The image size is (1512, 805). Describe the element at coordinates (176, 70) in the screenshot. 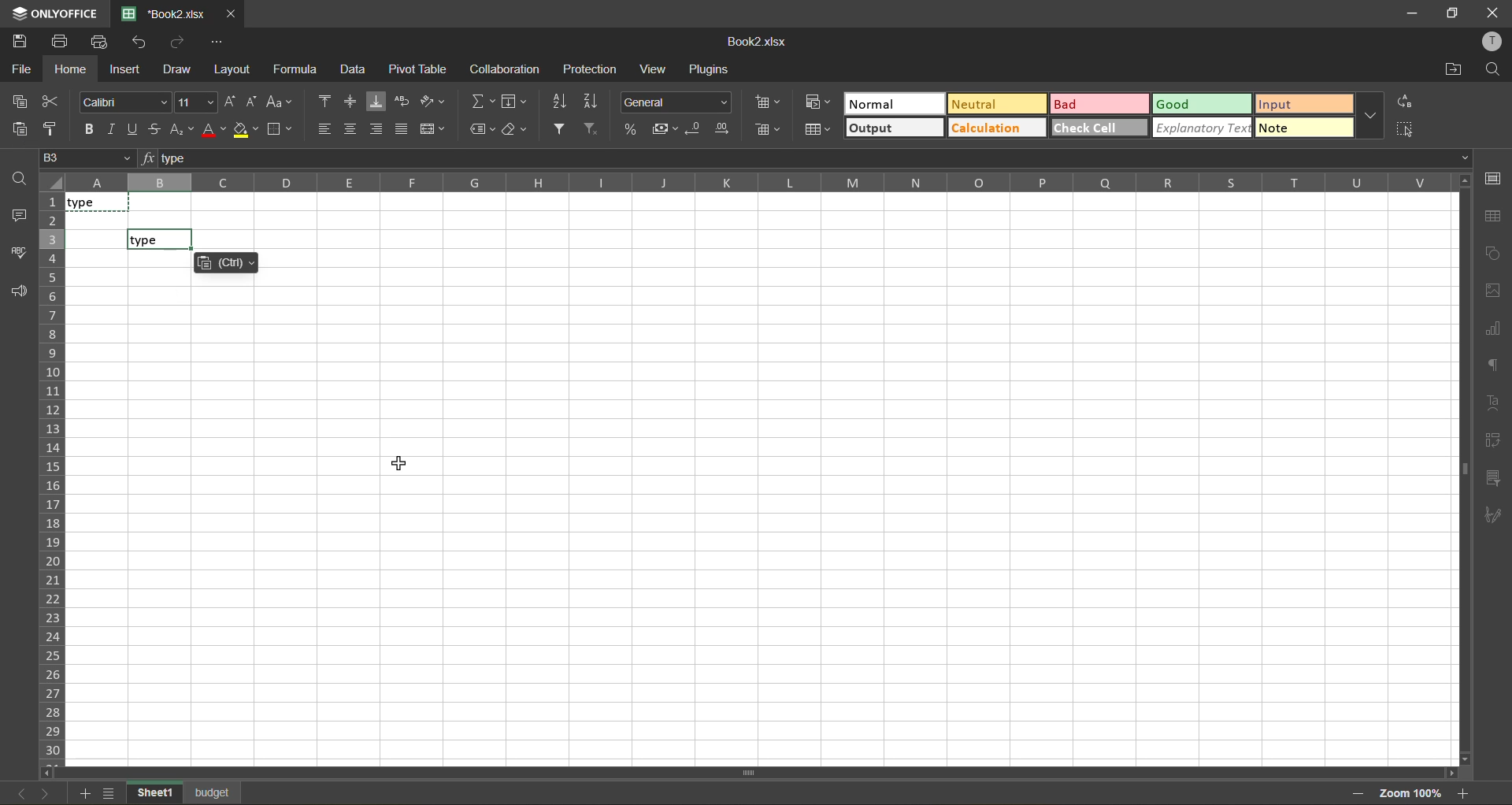

I see `draw` at that location.